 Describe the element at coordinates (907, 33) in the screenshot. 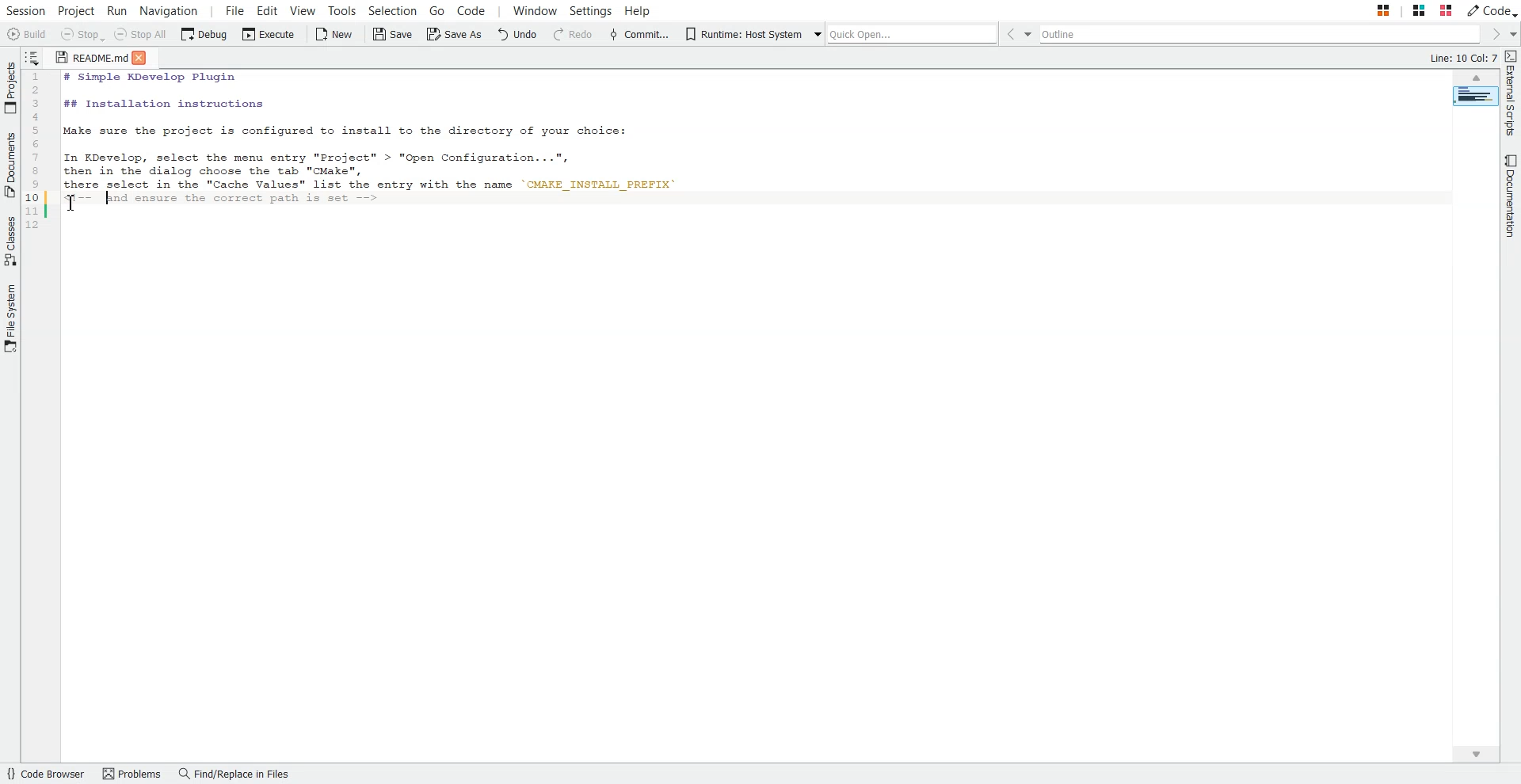

I see `Quick Open` at that location.